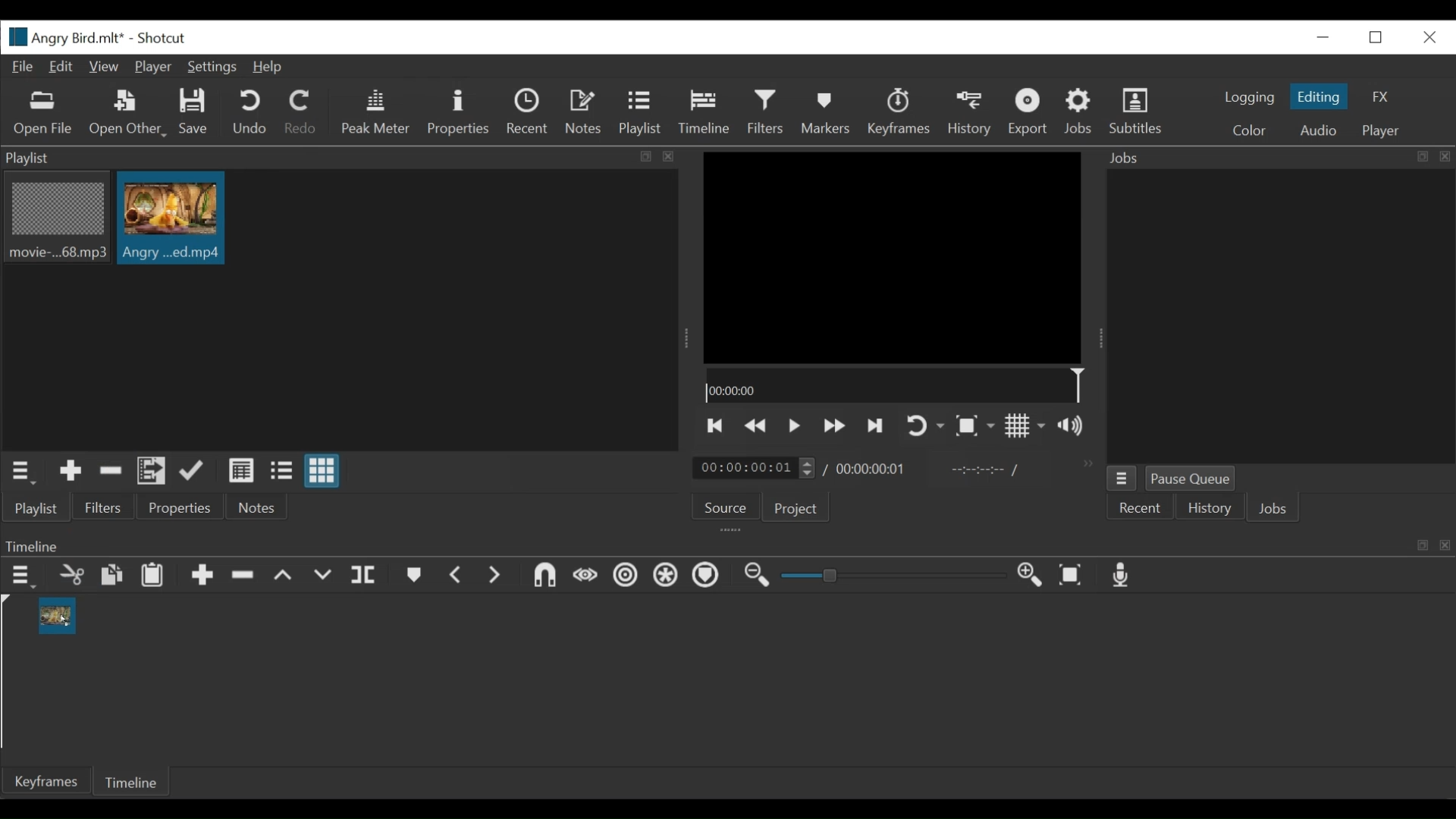 Image resolution: width=1456 pixels, height=819 pixels. Describe the element at coordinates (1076, 426) in the screenshot. I see `Show volume control` at that location.